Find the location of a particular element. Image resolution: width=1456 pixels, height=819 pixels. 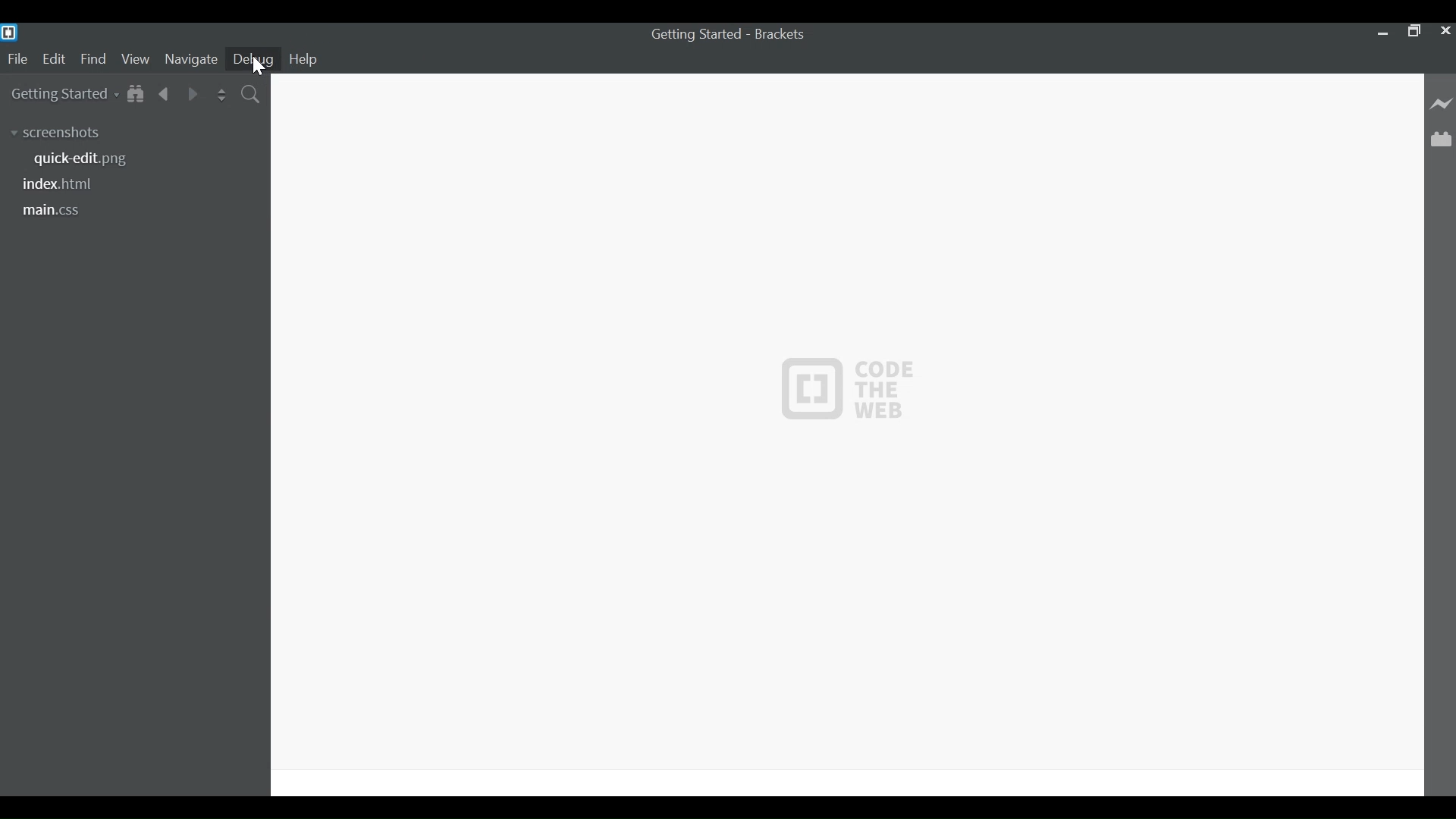

Find In Files is located at coordinates (251, 93).